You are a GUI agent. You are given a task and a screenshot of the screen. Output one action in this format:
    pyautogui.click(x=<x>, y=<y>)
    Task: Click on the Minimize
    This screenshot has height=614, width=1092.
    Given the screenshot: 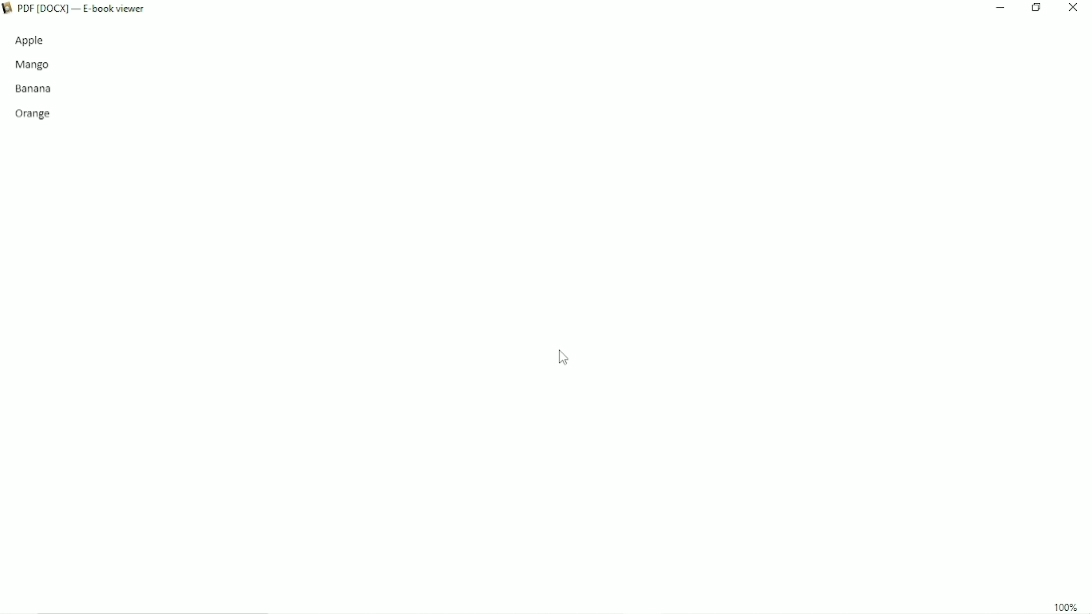 What is the action you would take?
    pyautogui.click(x=998, y=8)
    